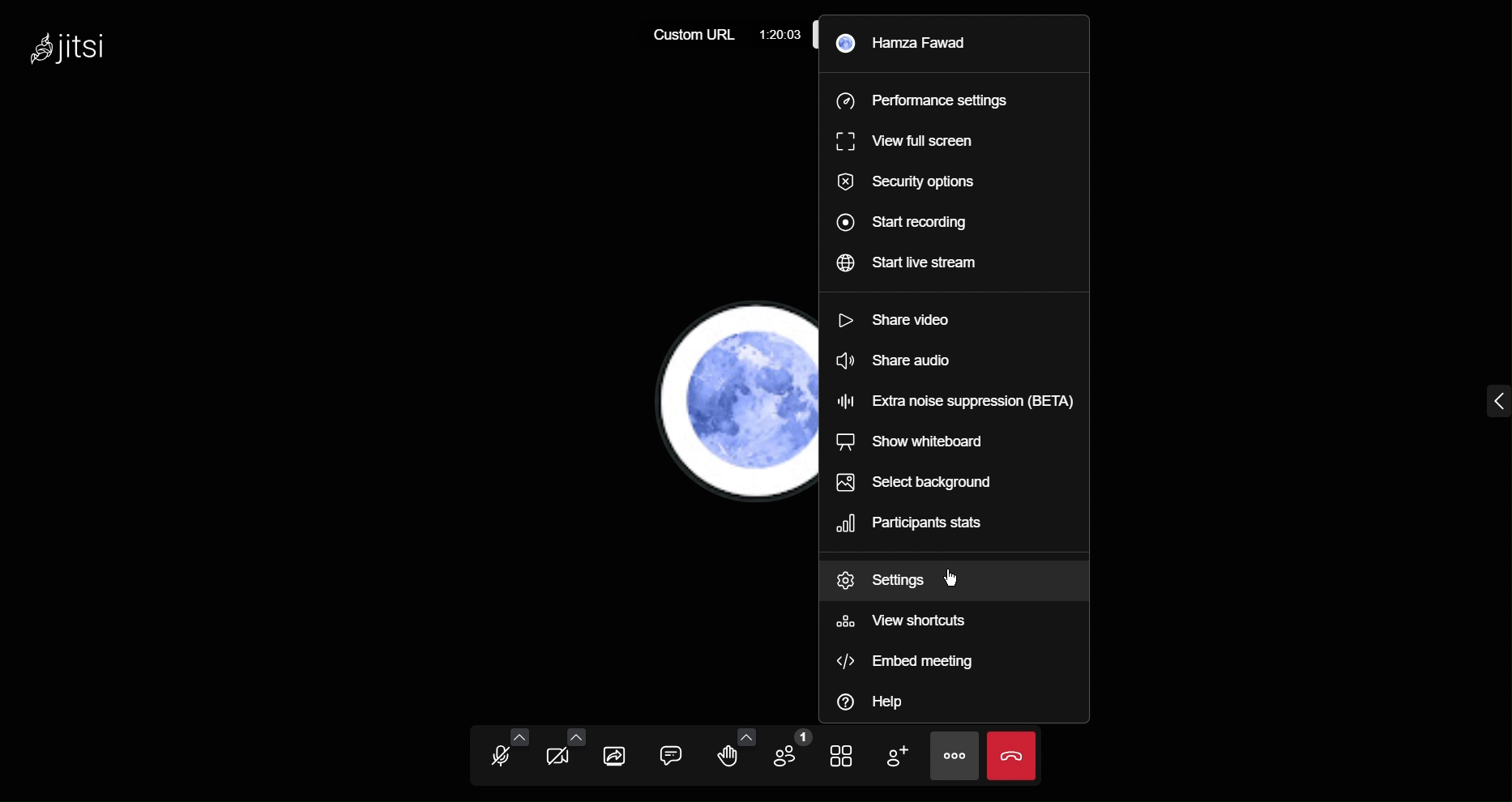 Image resolution: width=1512 pixels, height=802 pixels. I want to click on Add Participant, so click(905, 756).